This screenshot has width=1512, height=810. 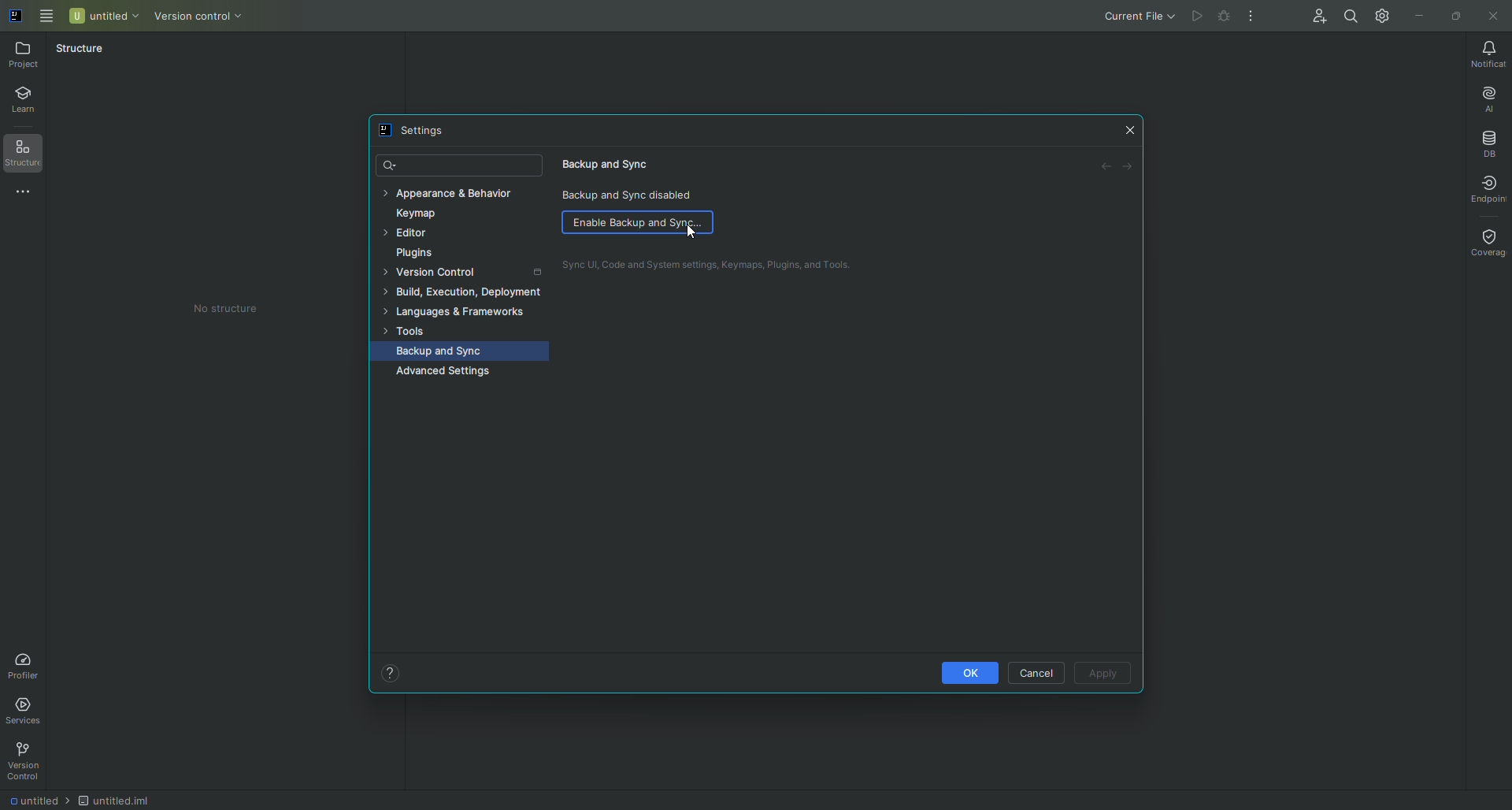 I want to click on Editor, so click(x=414, y=236).